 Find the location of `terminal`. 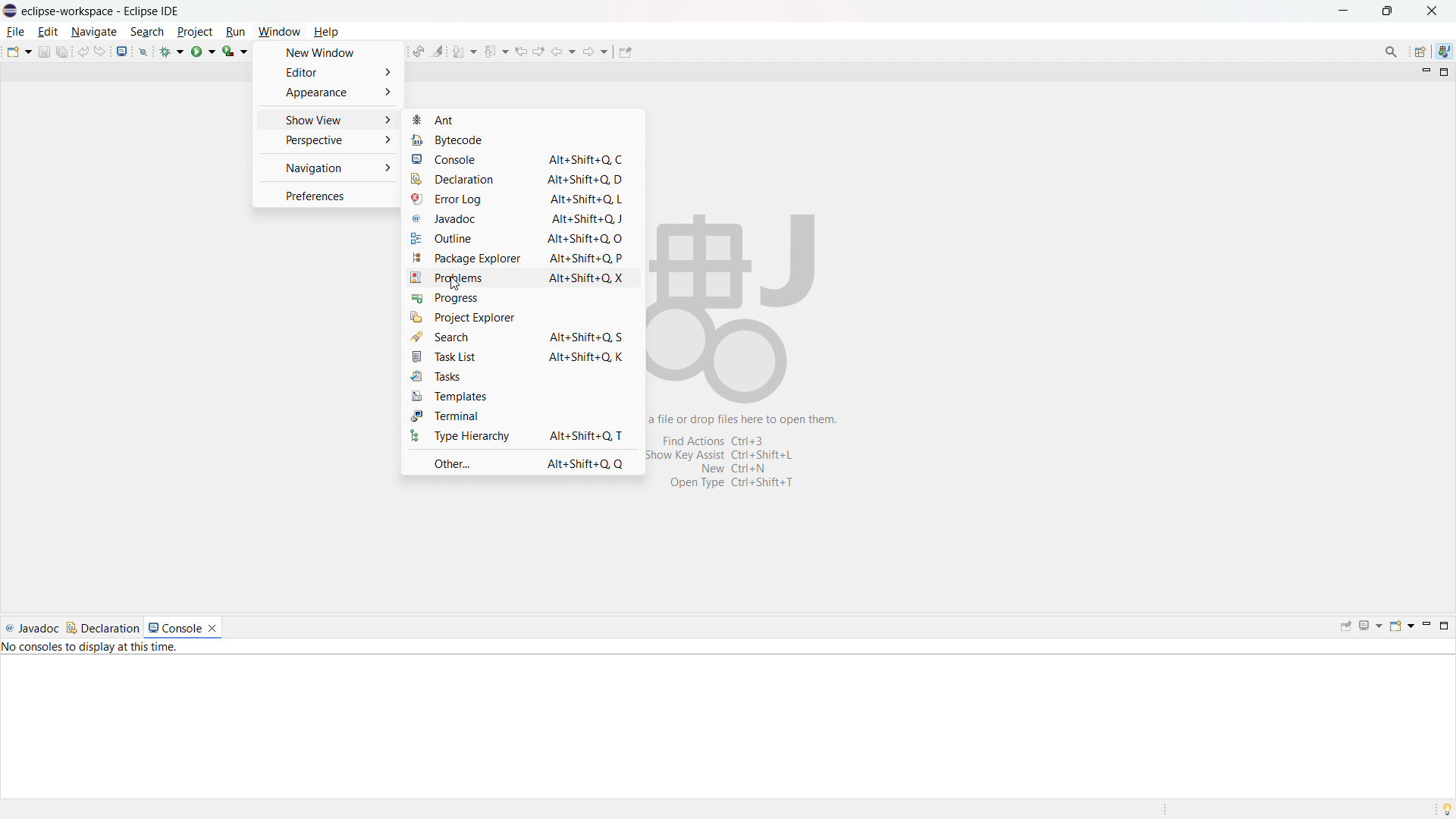

terminal is located at coordinates (523, 416).